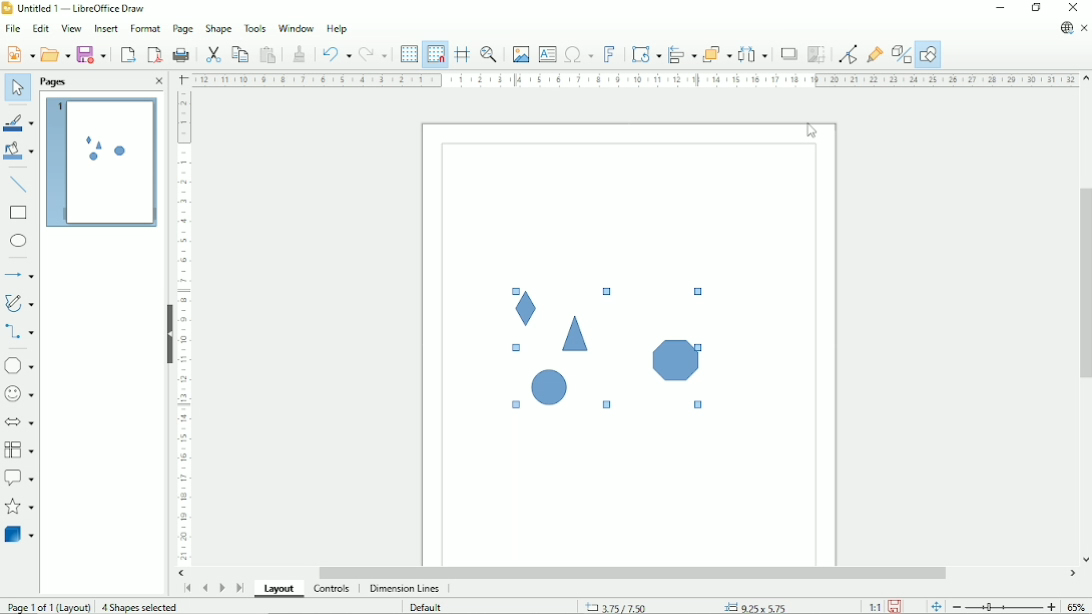 Image resolution: width=1092 pixels, height=614 pixels. I want to click on Help, so click(337, 29).